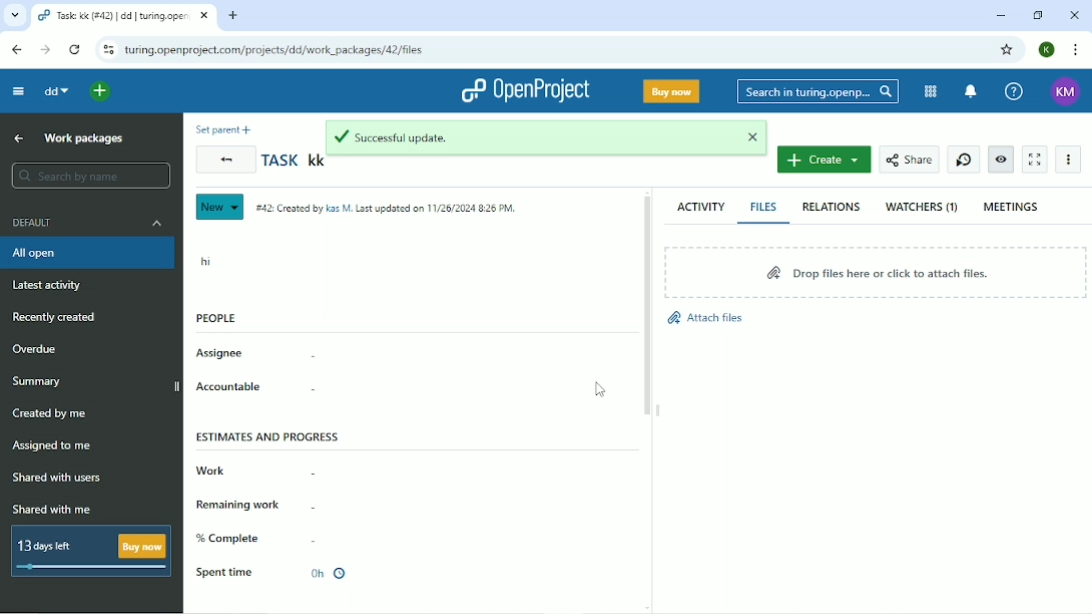 The image size is (1092, 614). I want to click on Default, so click(89, 223).